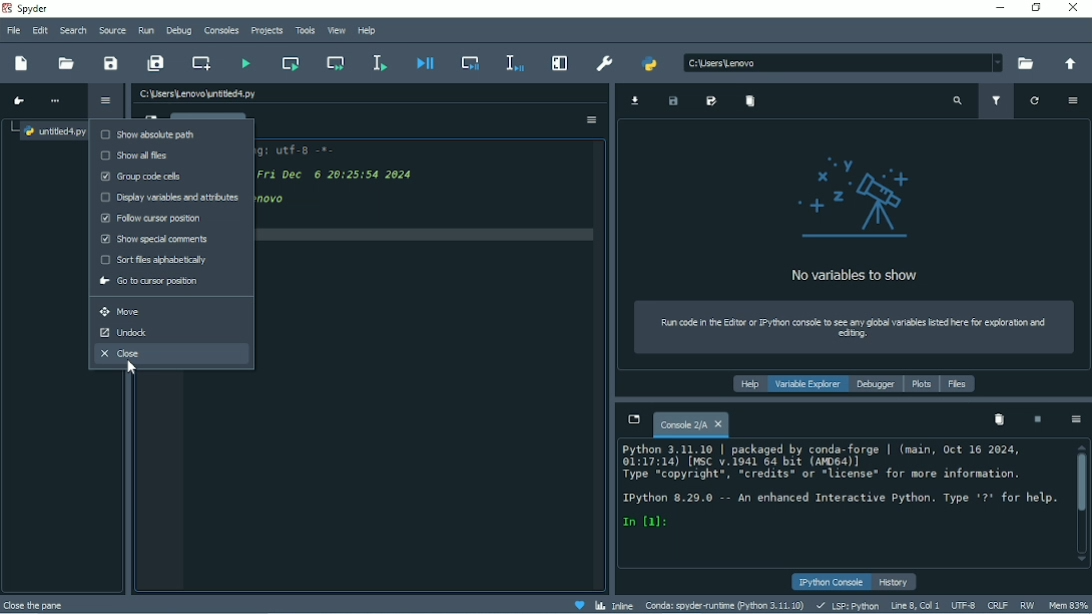 This screenshot has height=614, width=1092. Describe the element at coordinates (824, 63) in the screenshot. I see `c\users\lenovo` at that location.